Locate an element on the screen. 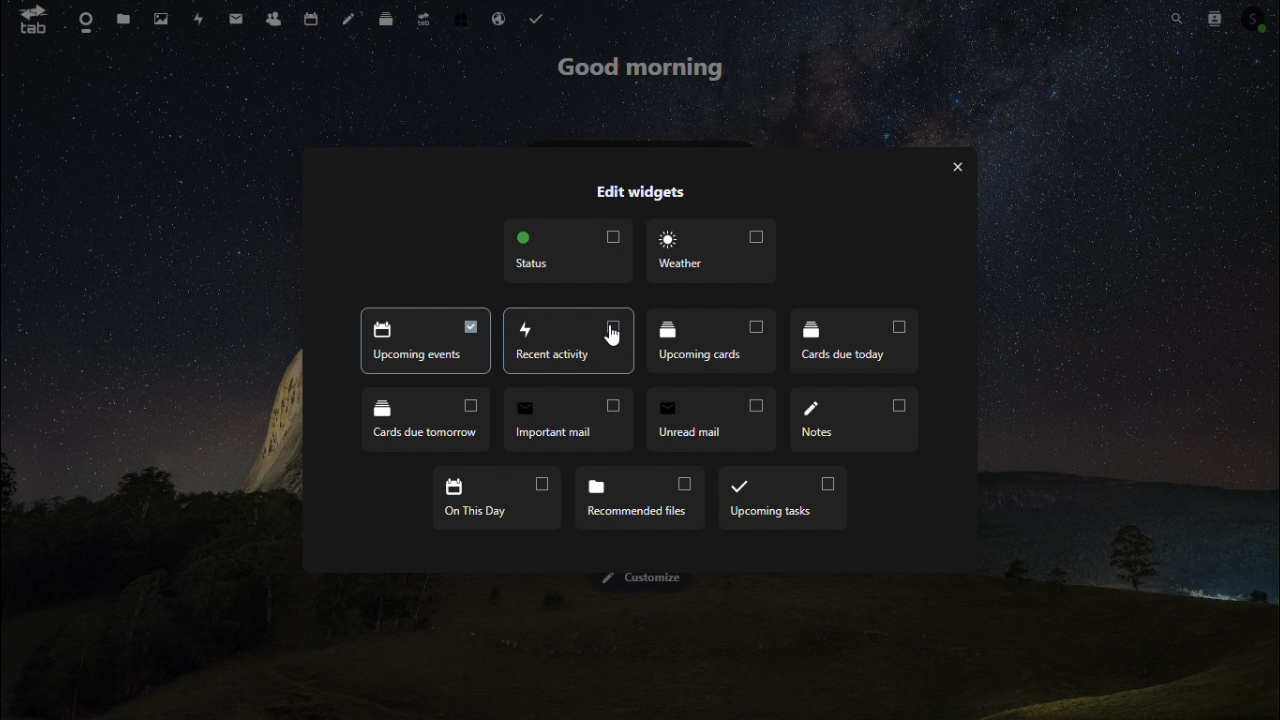 The height and width of the screenshot is (720, 1280). notes is located at coordinates (352, 16).